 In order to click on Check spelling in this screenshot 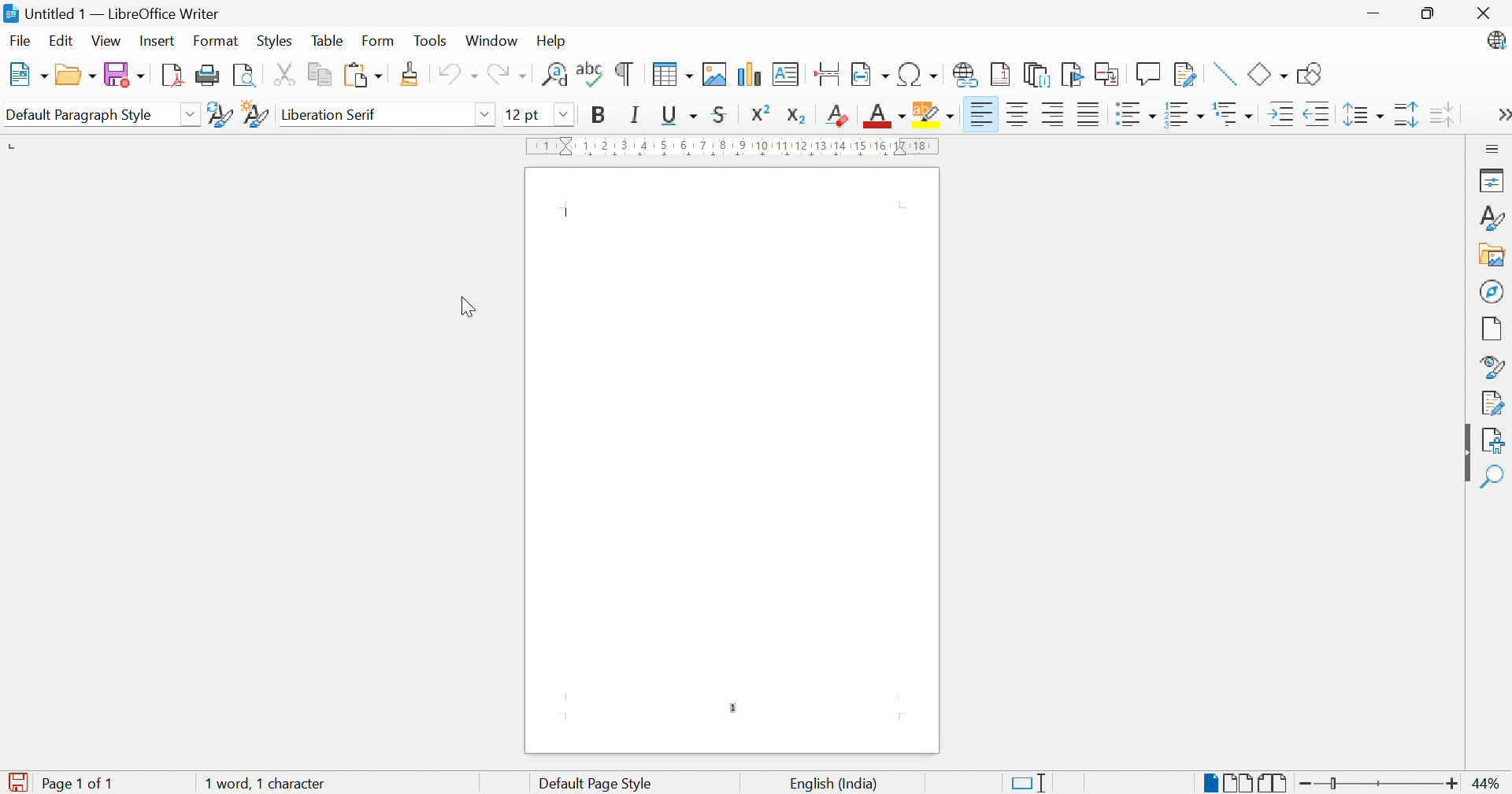, I will do `click(589, 74)`.